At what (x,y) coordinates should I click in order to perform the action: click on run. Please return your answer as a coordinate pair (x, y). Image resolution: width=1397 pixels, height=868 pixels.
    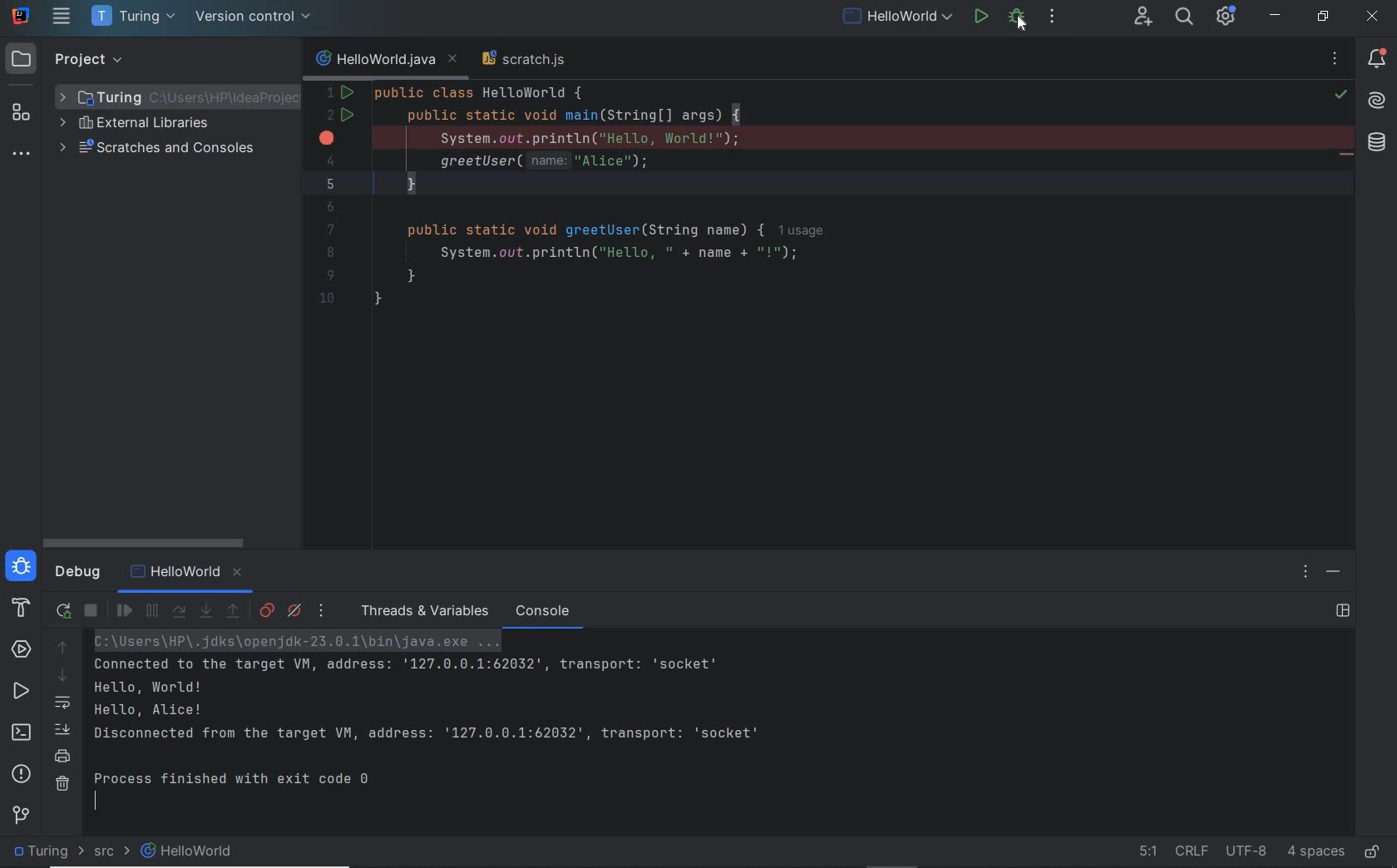
    Looking at the image, I should click on (22, 693).